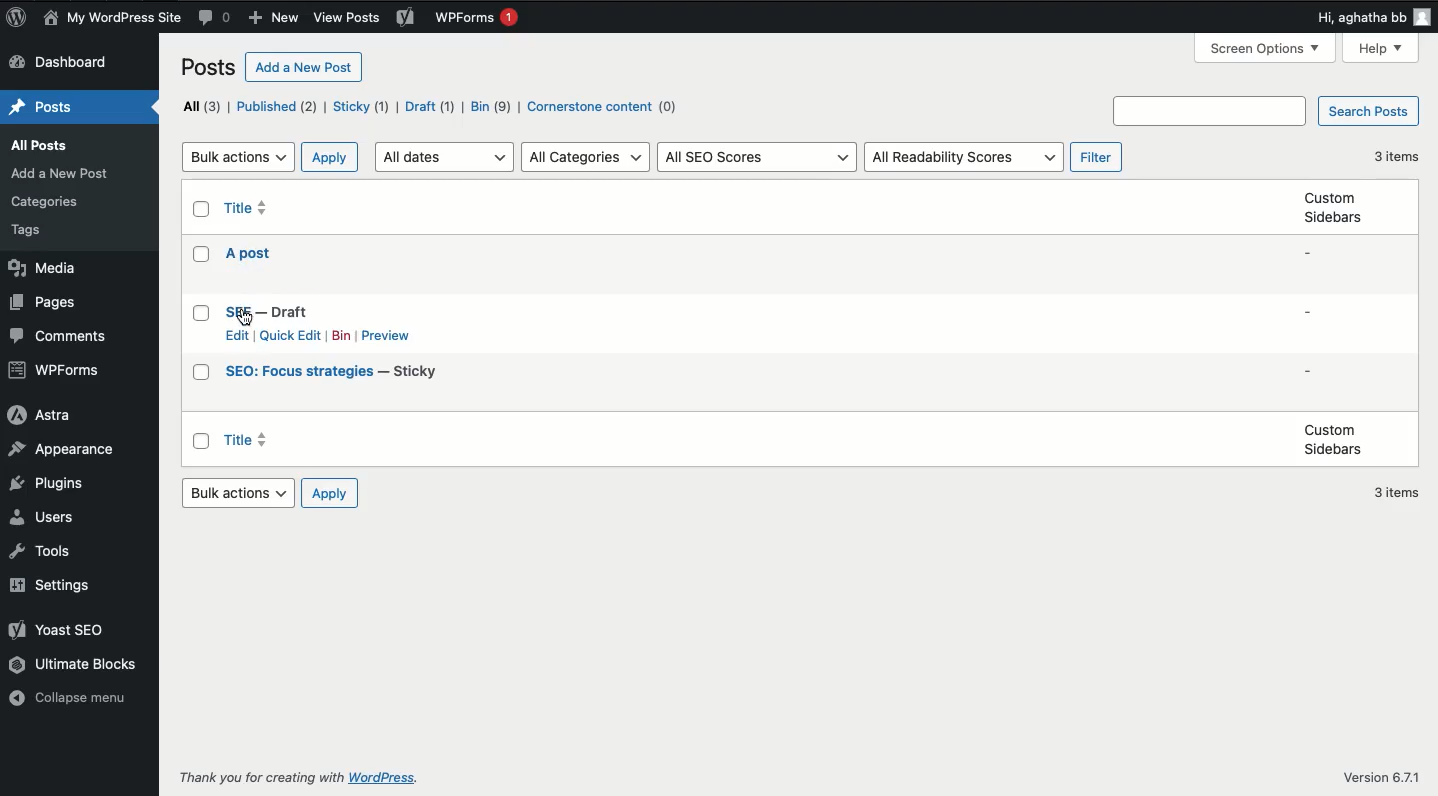 The image size is (1438, 796). Describe the element at coordinates (1382, 48) in the screenshot. I see `Help` at that location.